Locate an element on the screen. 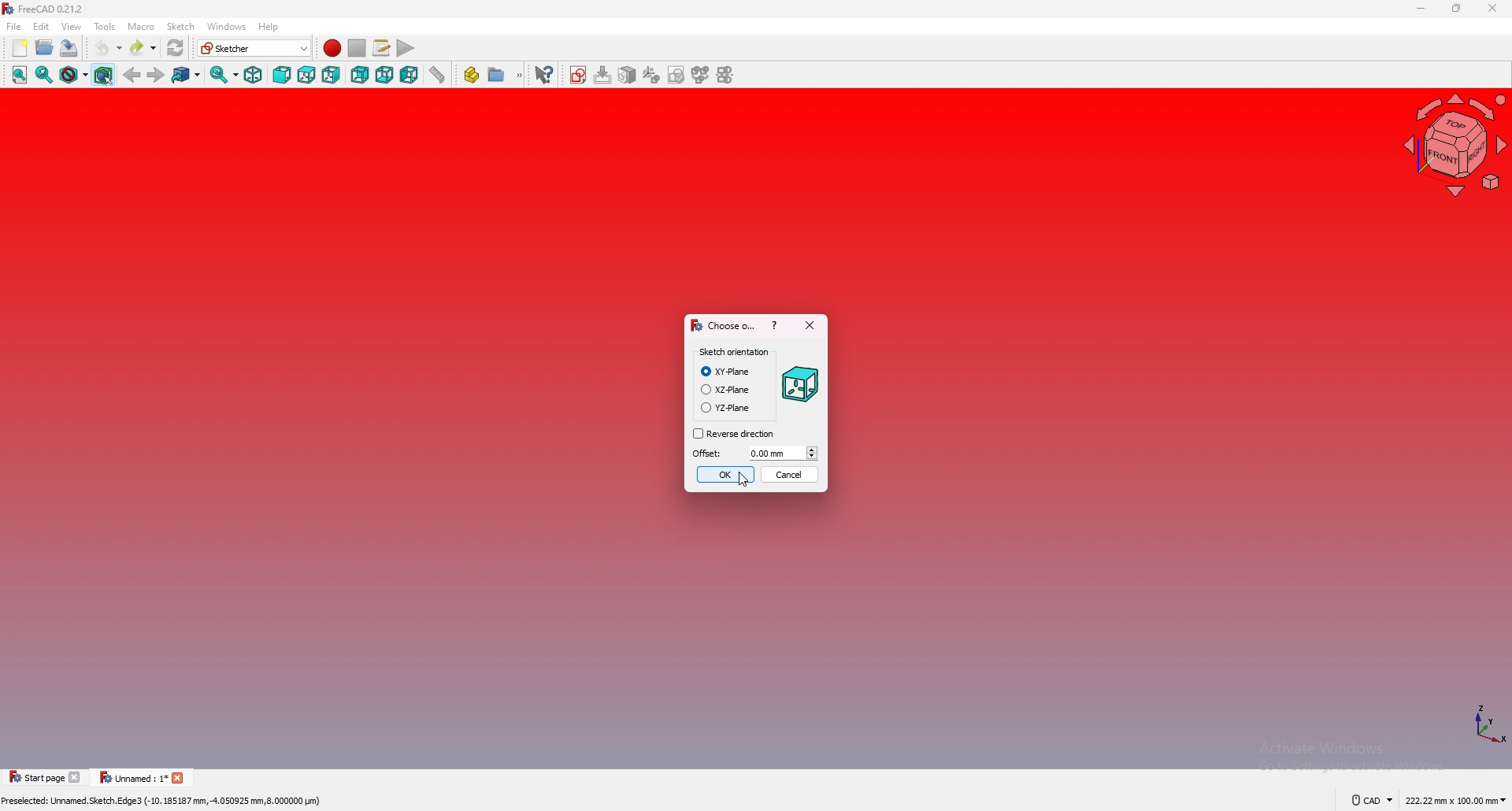 This screenshot has width=1512, height=811. fit selection is located at coordinates (44, 75).